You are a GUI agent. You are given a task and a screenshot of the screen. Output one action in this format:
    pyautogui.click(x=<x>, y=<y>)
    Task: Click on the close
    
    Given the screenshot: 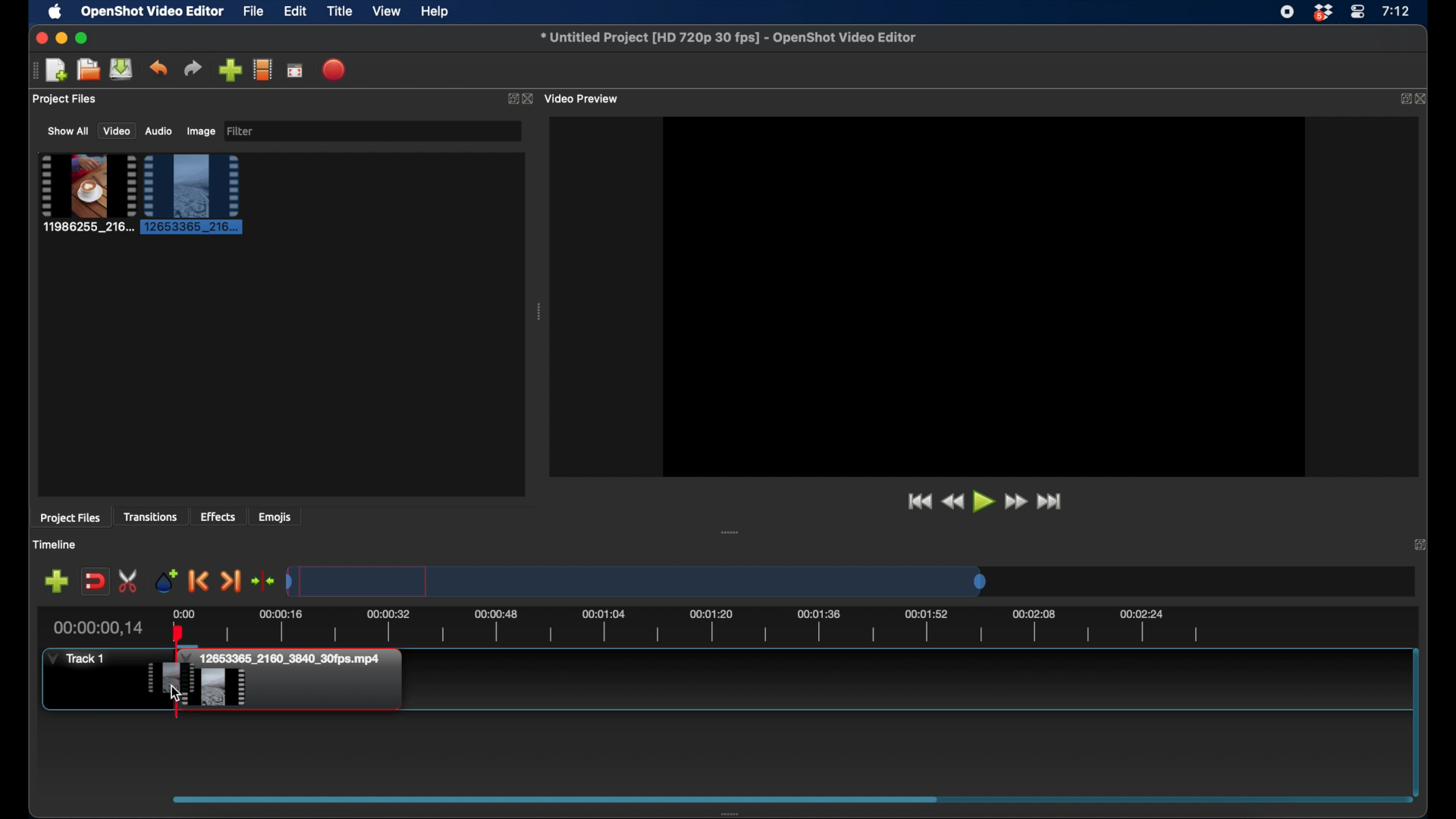 What is the action you would take?
    pyautogui.click(x=1425, y=99)
    